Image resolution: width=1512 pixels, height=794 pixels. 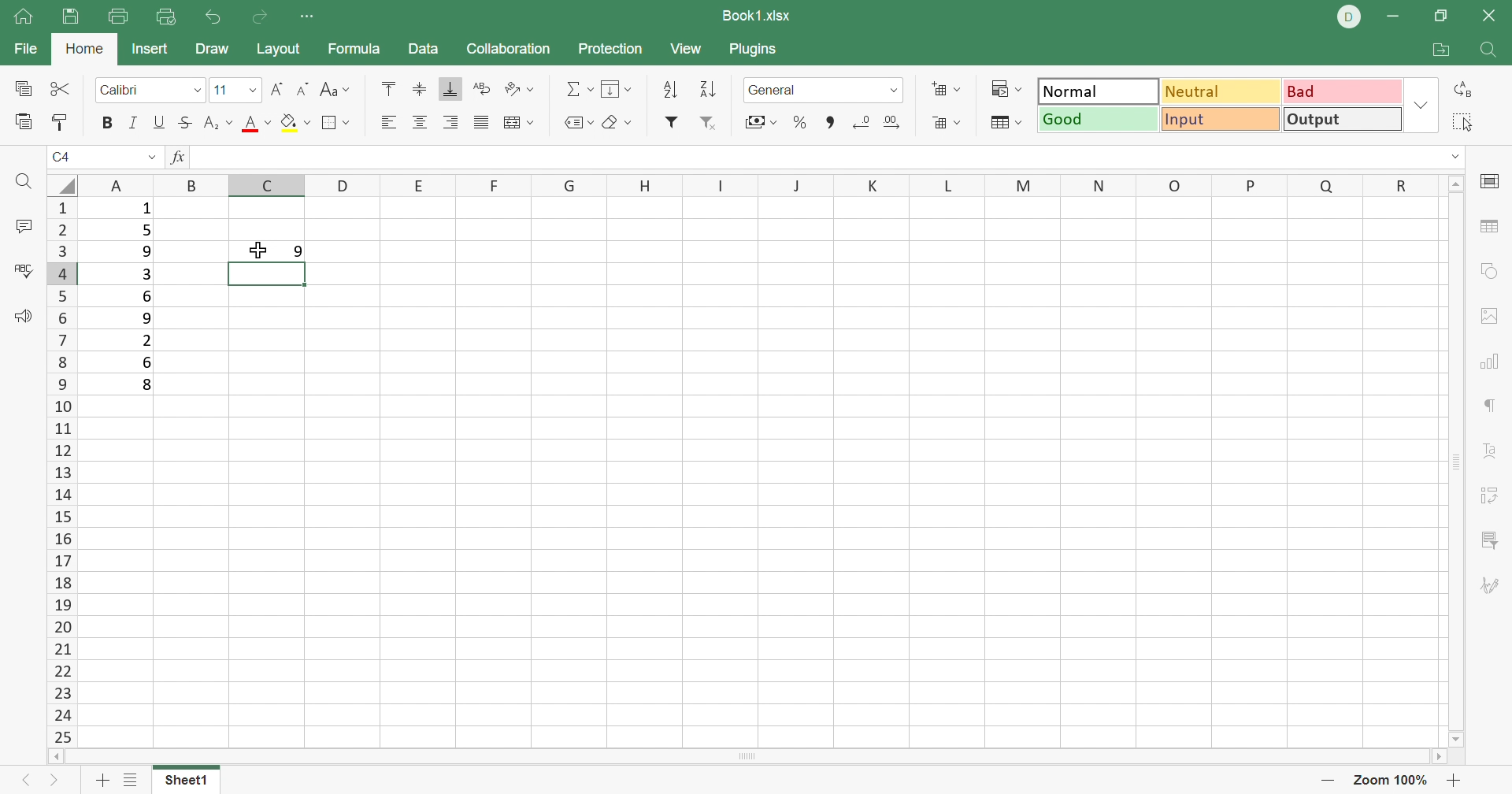 What do you see at coordinates (755, 53) in the screenshot?
I see `Plugins` at bounding box center [755, 53].